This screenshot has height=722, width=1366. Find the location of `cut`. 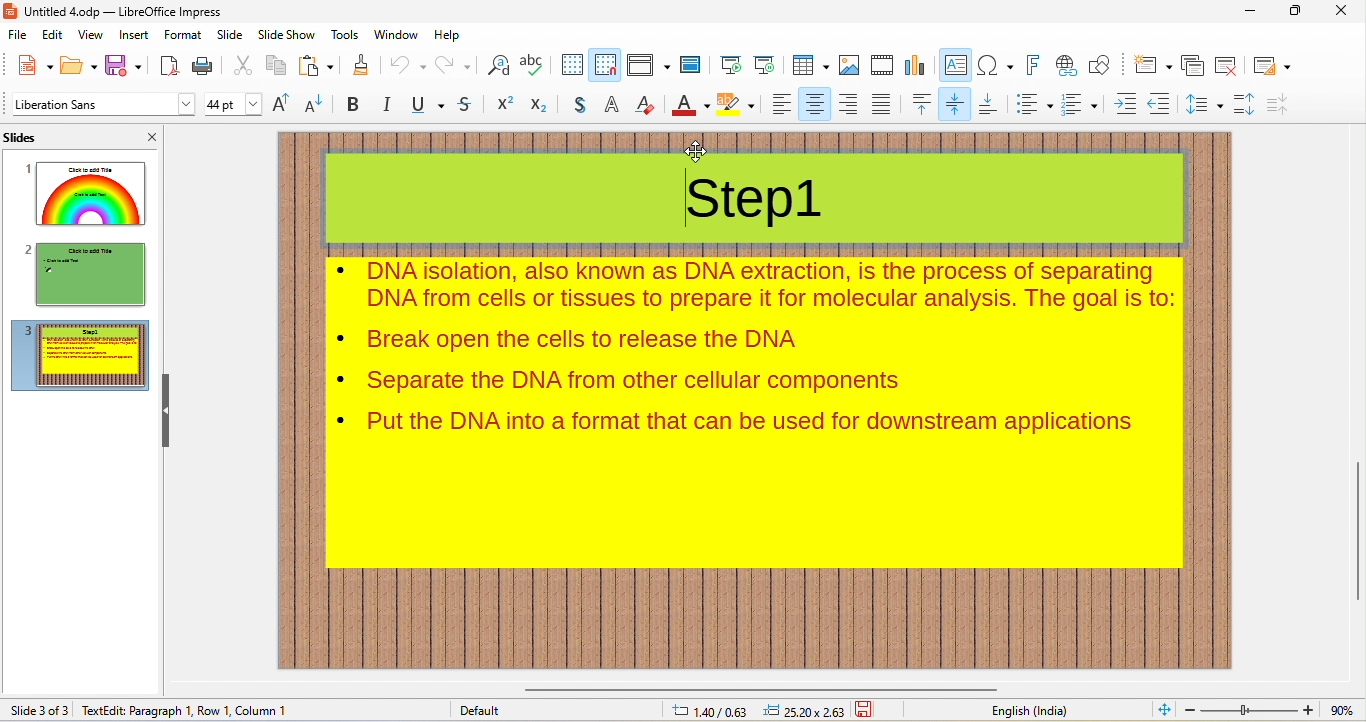

cut is located at coordinates (244, 65).